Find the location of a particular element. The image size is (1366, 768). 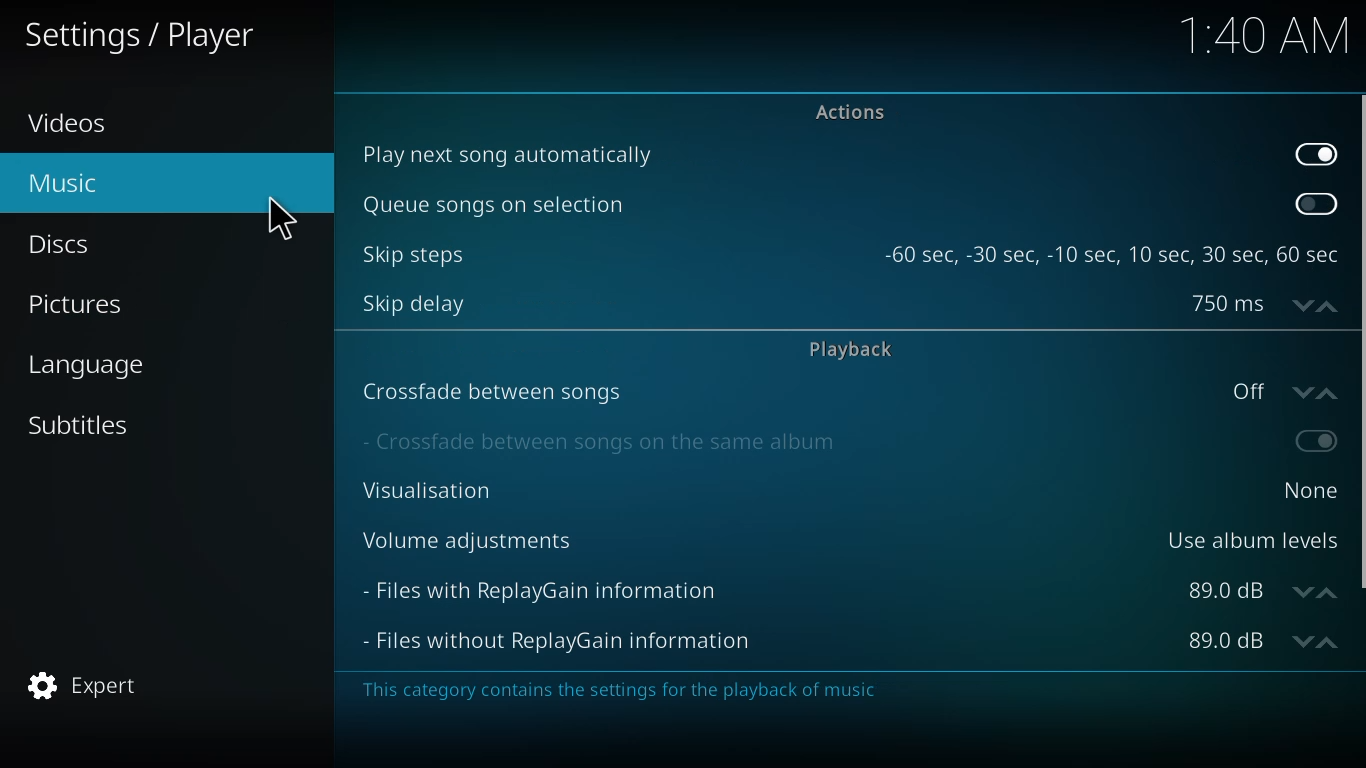

queue song is located at coordinates (491, 205).